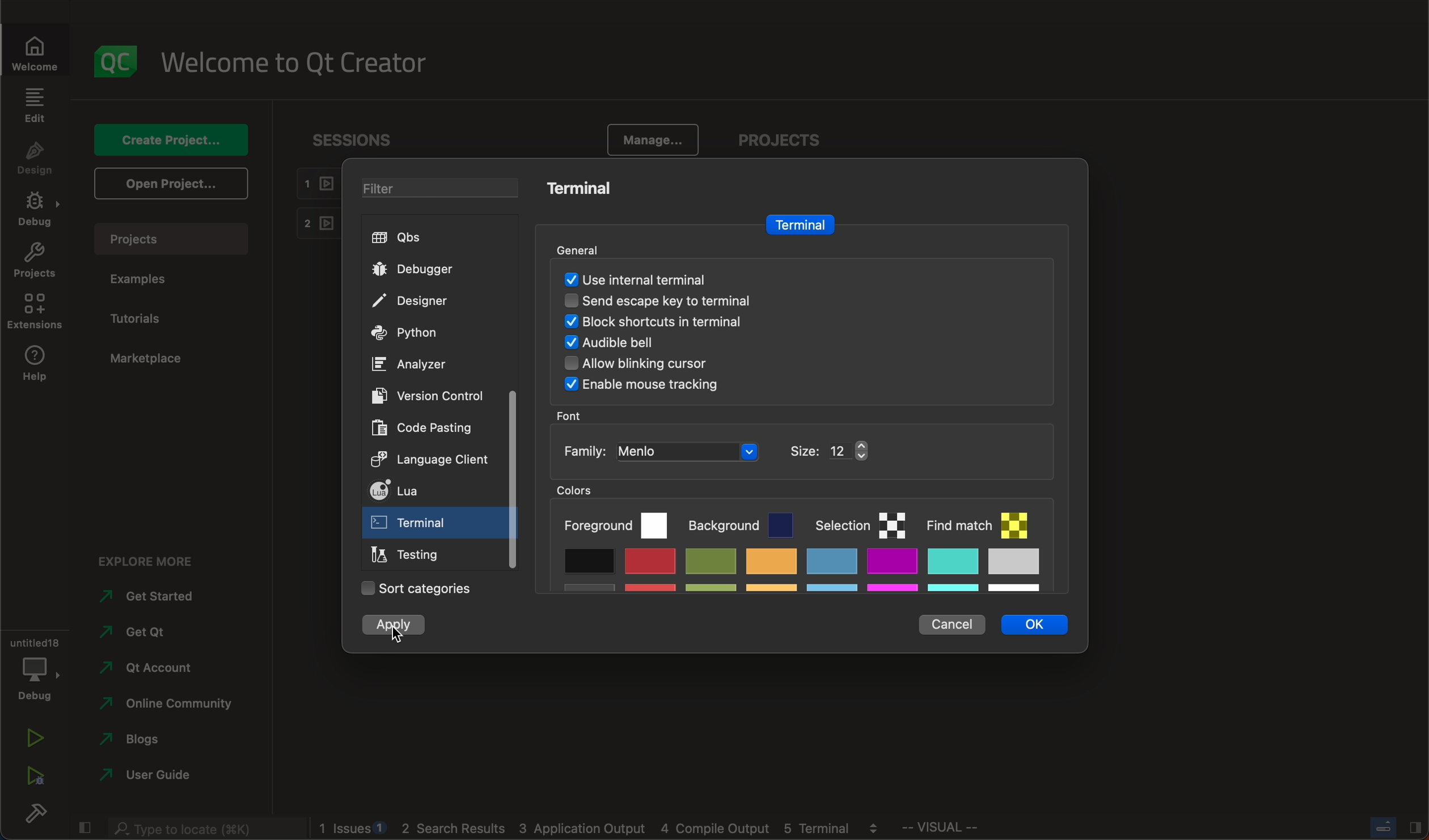  Describe the element at coordinates (637, 279) in the screenshot. I see `auto detected` at that location.